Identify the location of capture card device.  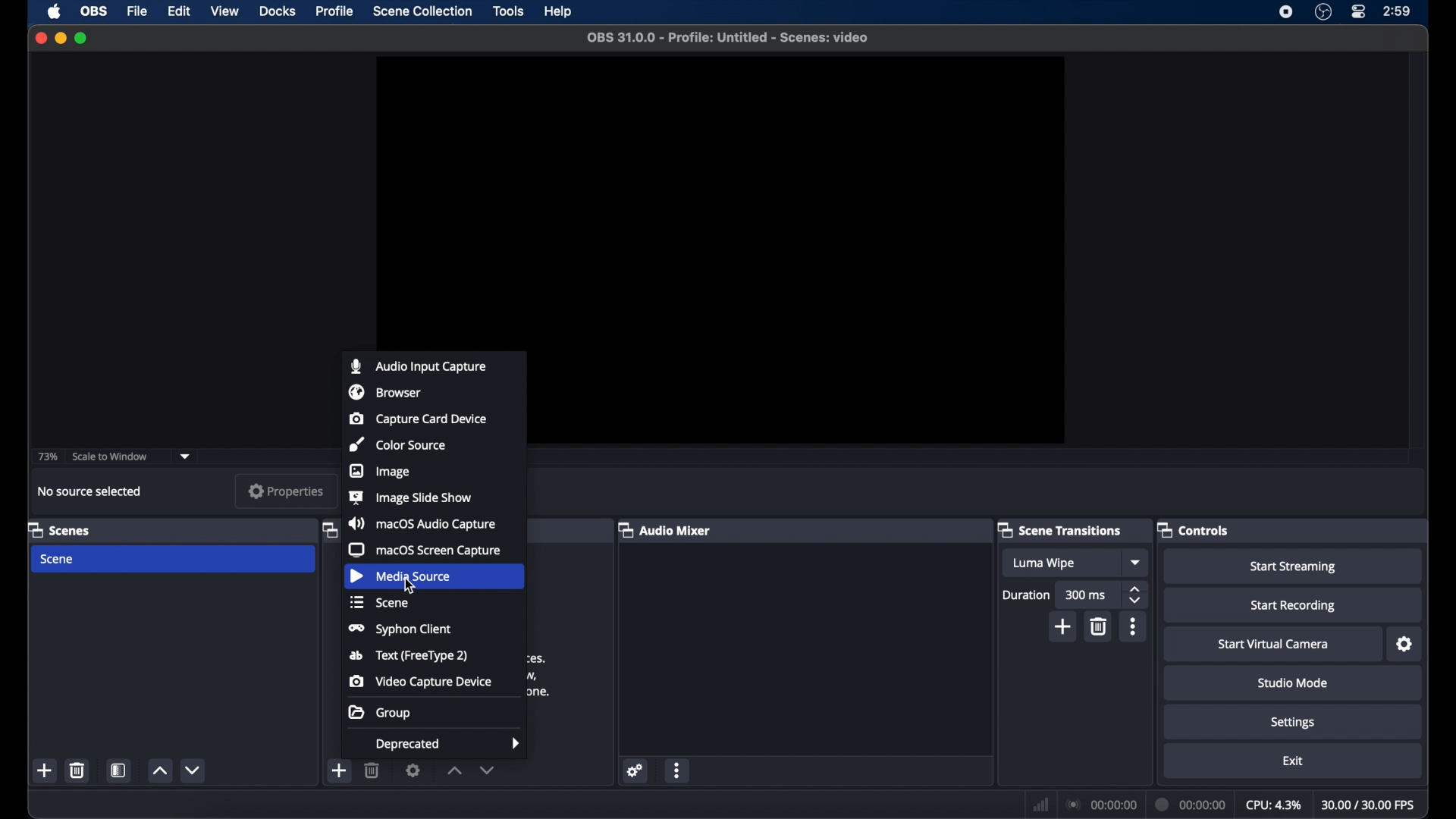
(419, 418).